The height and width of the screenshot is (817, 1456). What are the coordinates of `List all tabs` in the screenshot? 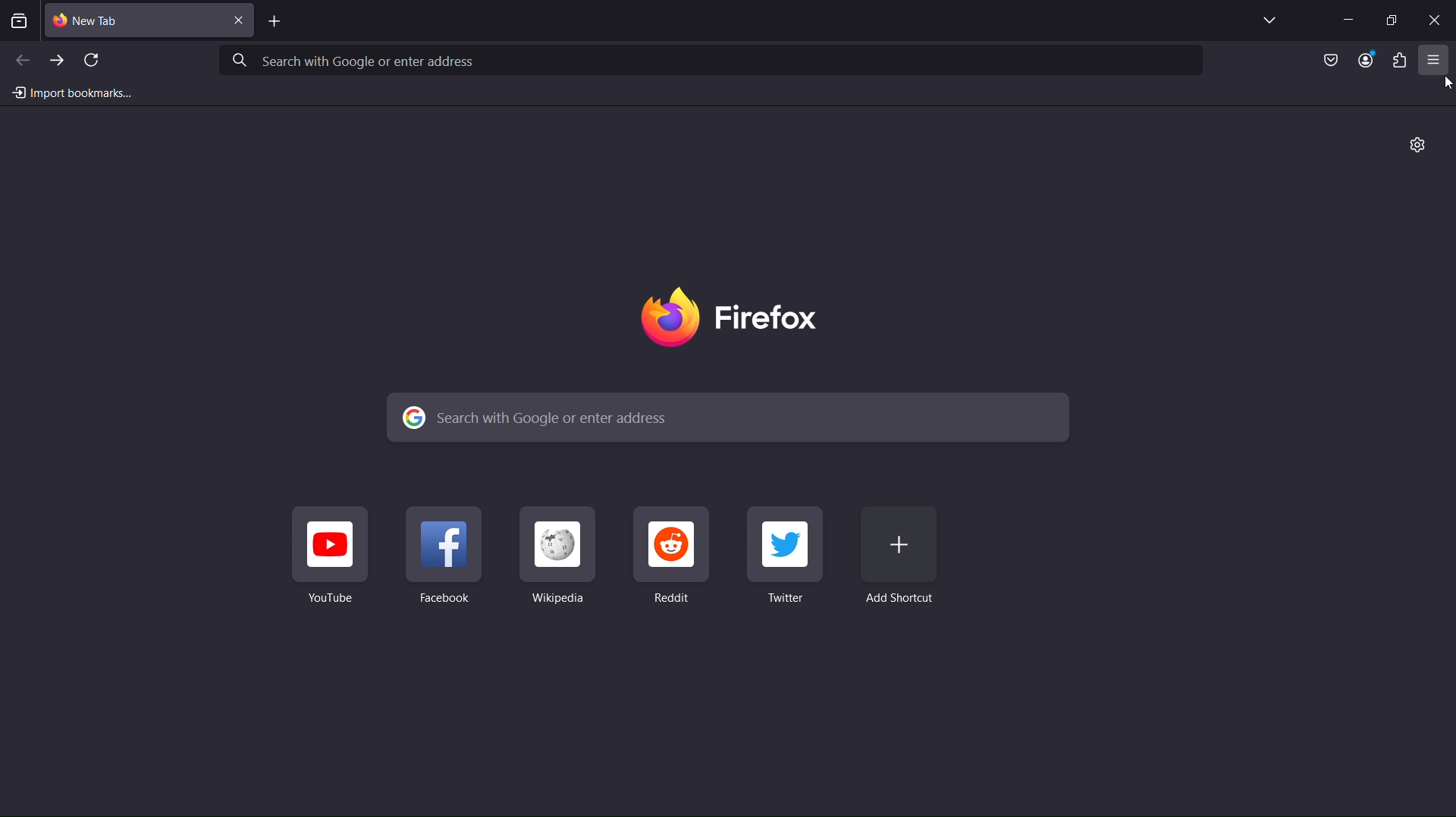 It's located at (1269, 20).